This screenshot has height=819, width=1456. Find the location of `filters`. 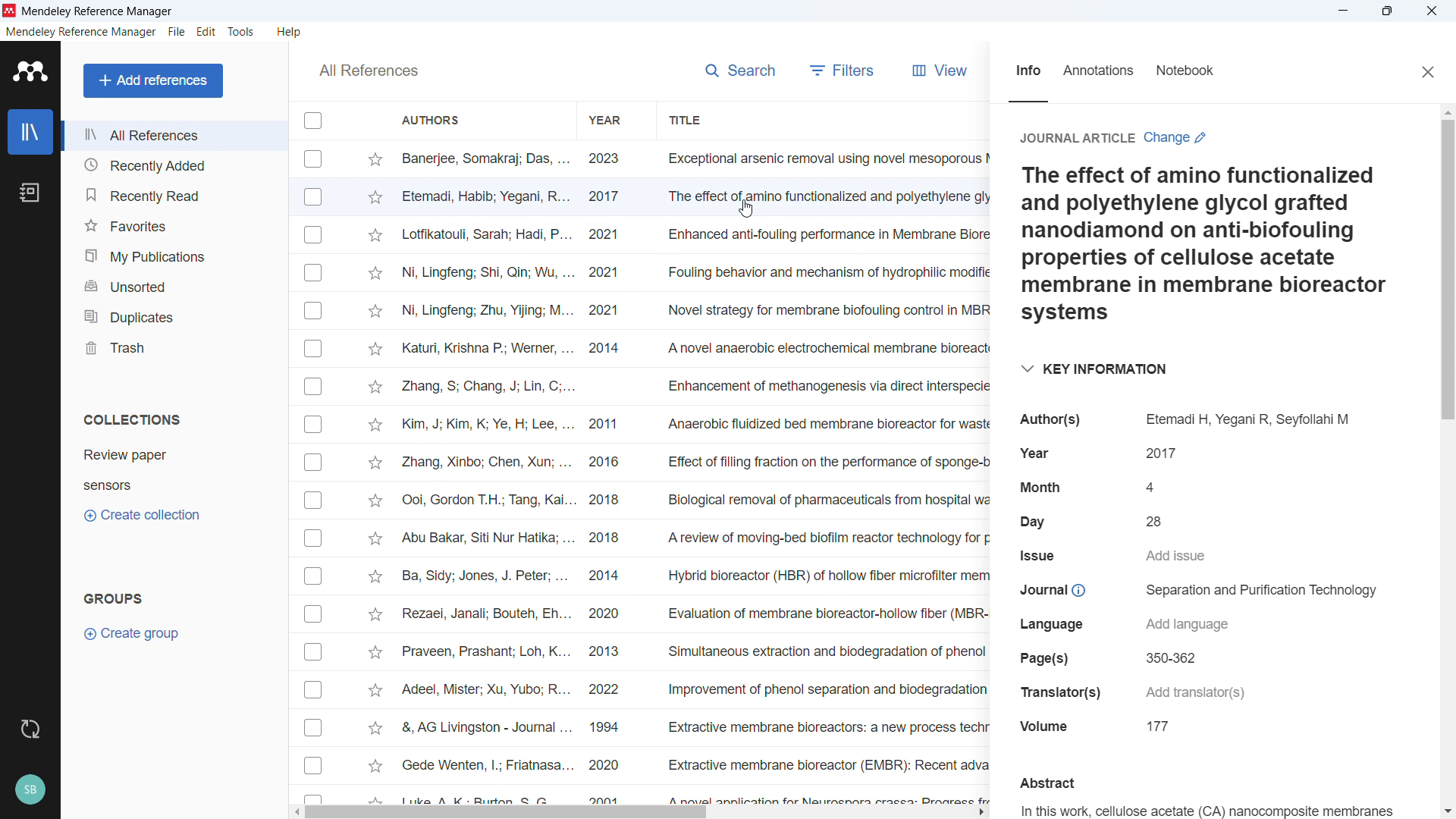

filters is located at coordinates (841, 71).